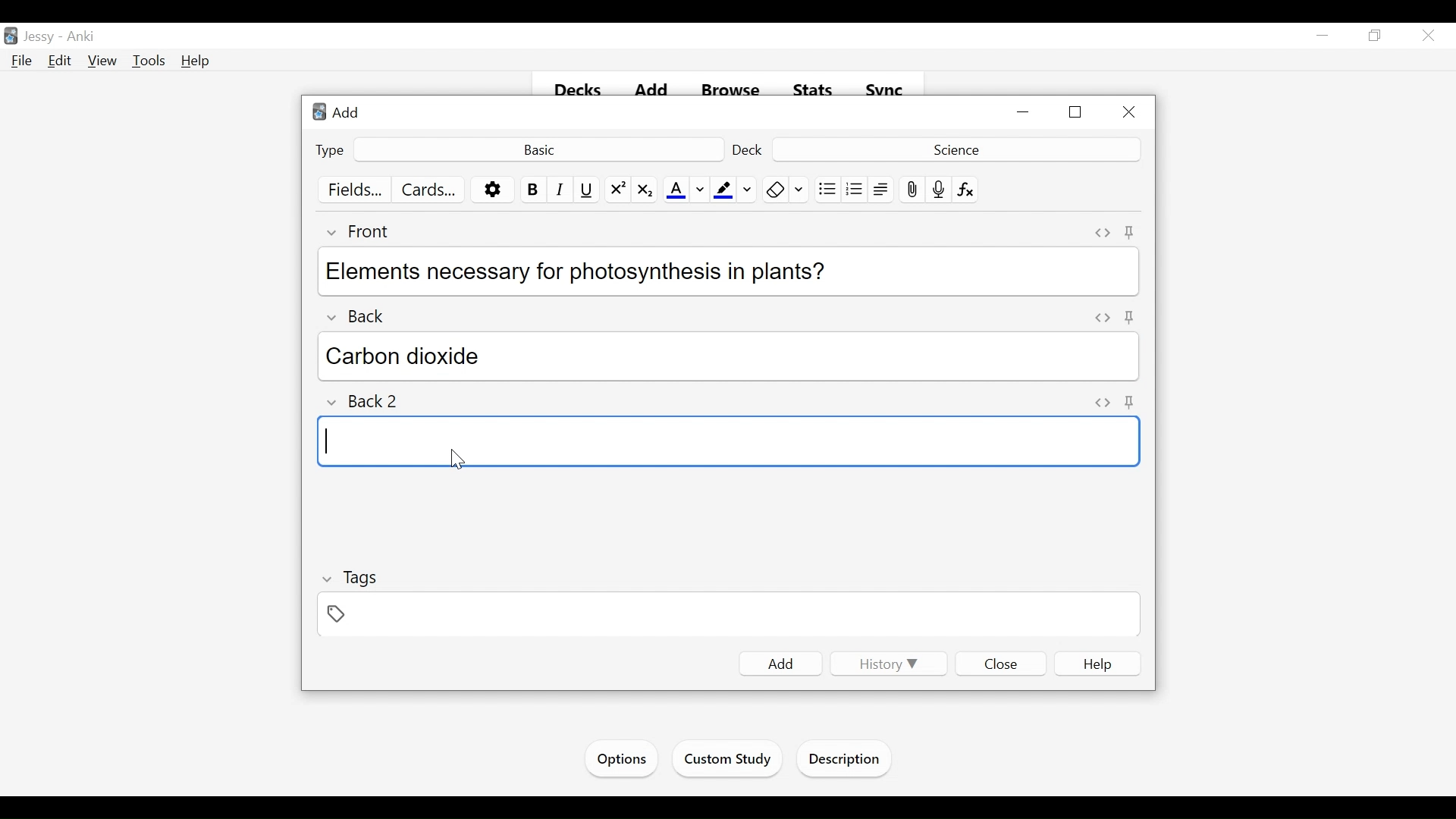  I want to click on Deck, so click(749, 149).